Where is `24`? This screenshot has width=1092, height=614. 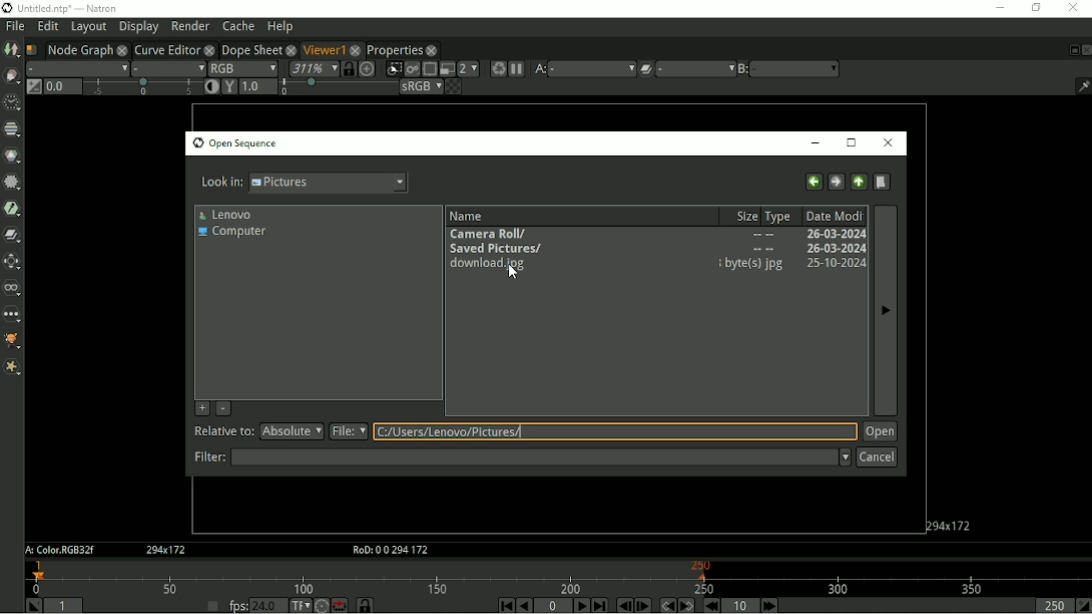 24 is located at coordinates (269, 605).